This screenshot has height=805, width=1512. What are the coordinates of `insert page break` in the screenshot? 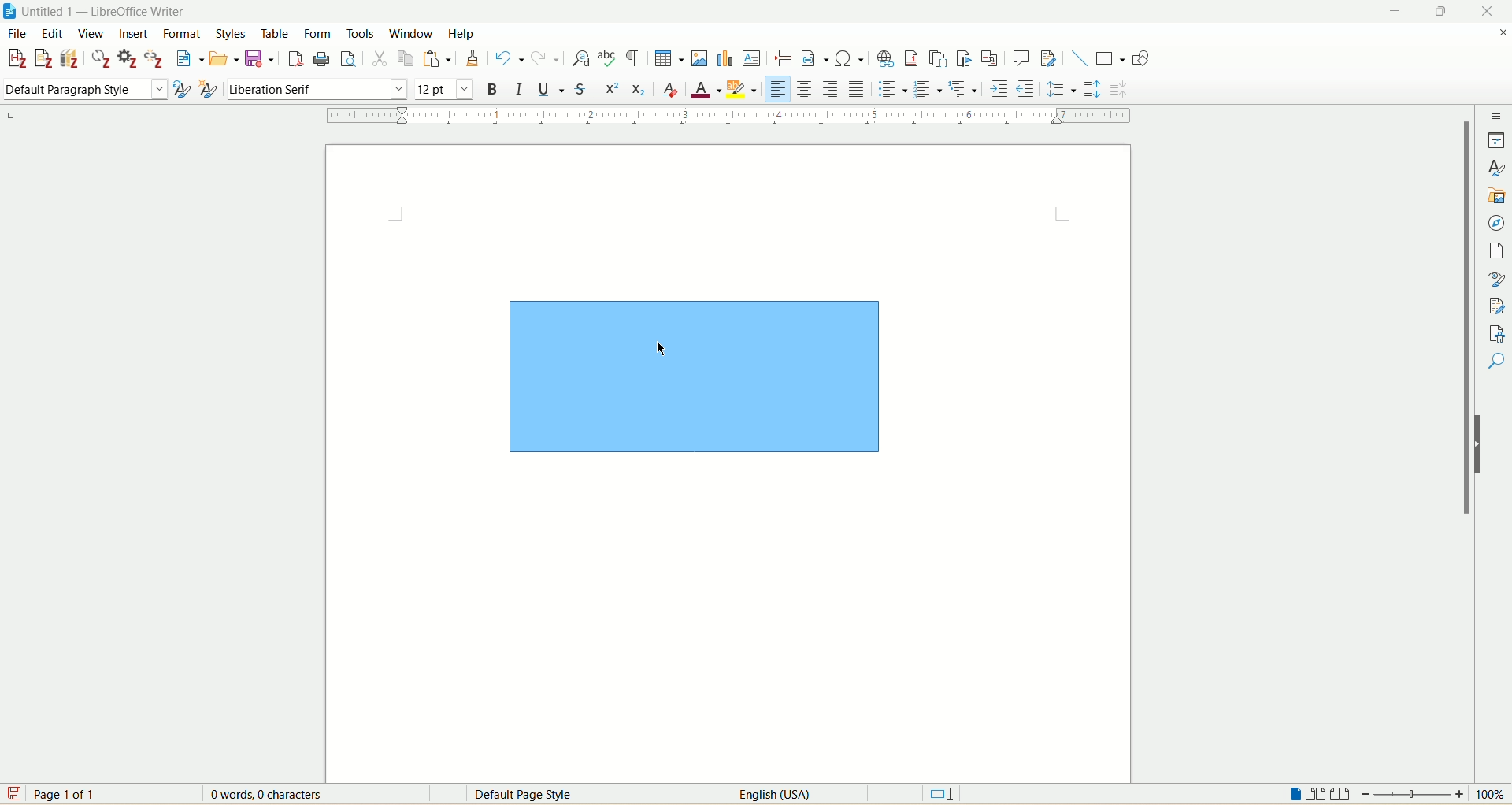 It's located at (784, 57).